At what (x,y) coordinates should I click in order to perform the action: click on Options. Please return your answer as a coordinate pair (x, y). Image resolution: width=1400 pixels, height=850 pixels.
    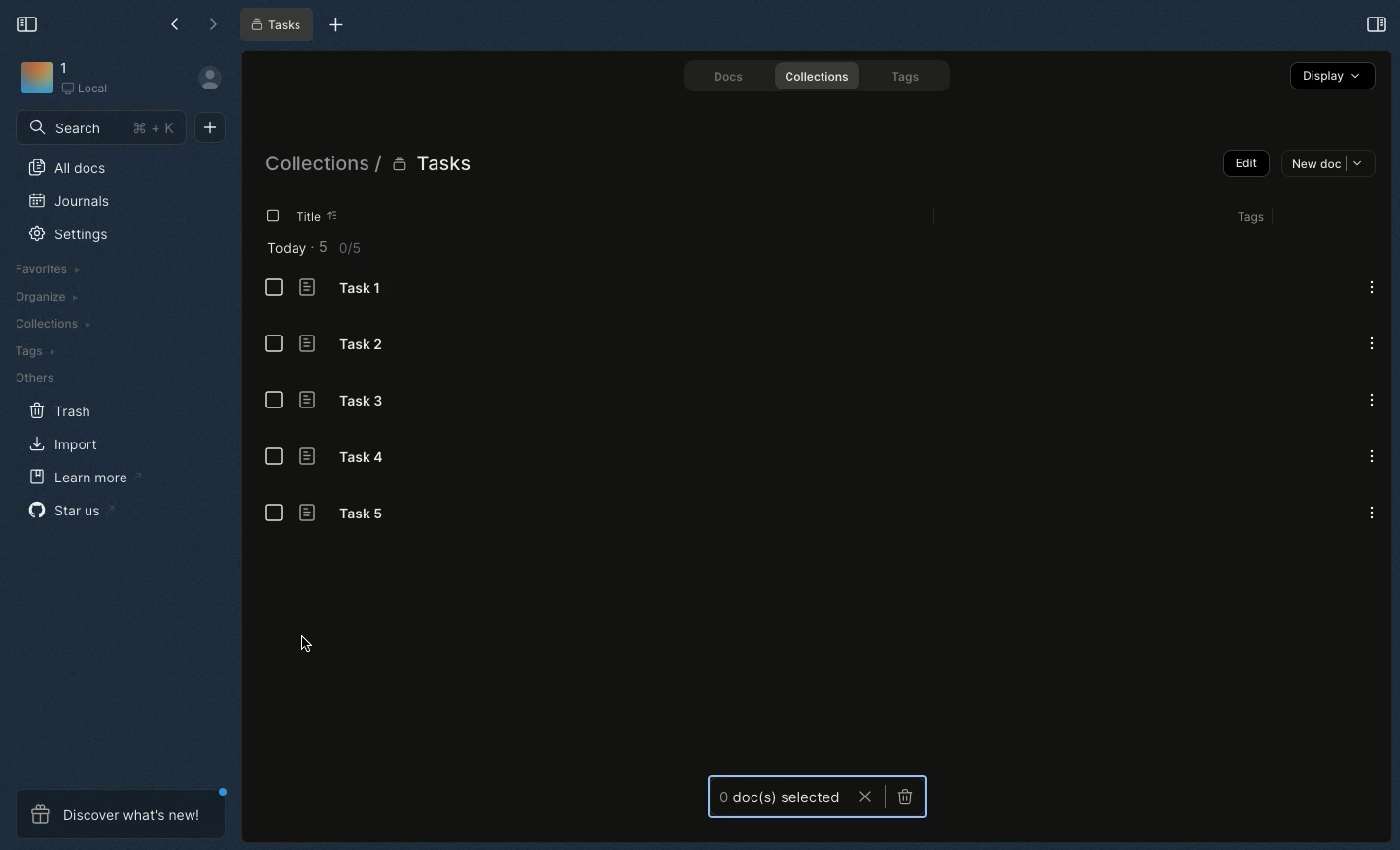
    Looking at the image, I should click on (1371, 286).